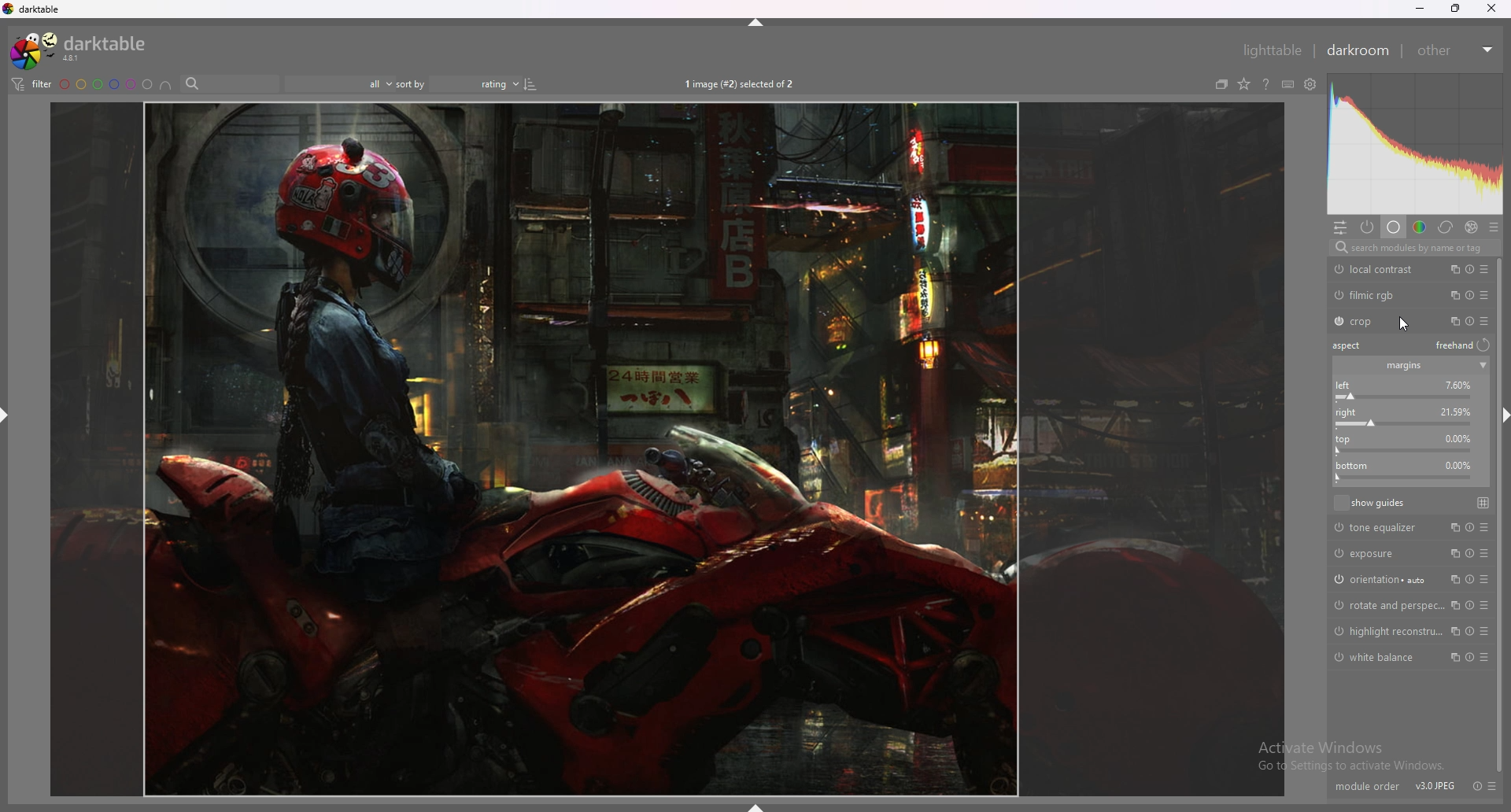 This screenshot has width=1511, height=812. Describe the element at coordinates (741, 83) in the screenshot. I see `1 image (#2) selected of 2` at that location.